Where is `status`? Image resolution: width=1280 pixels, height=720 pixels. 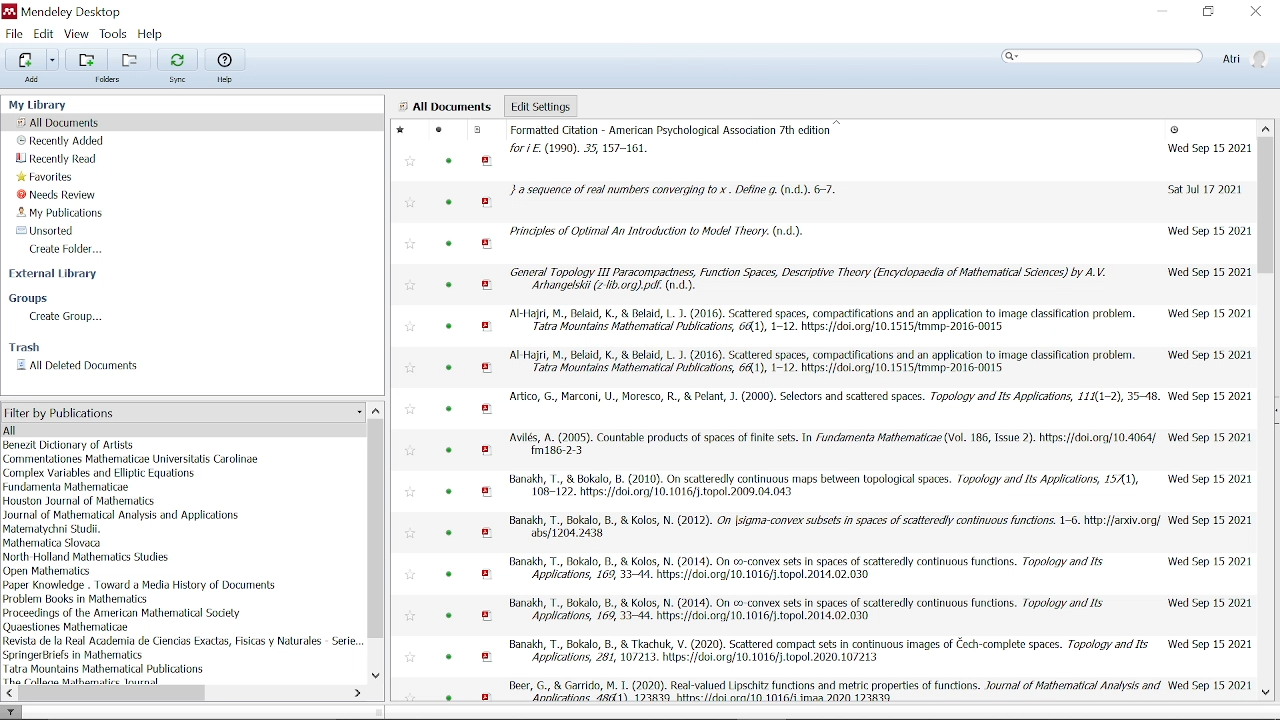
status is located at coordinates (452, 615).